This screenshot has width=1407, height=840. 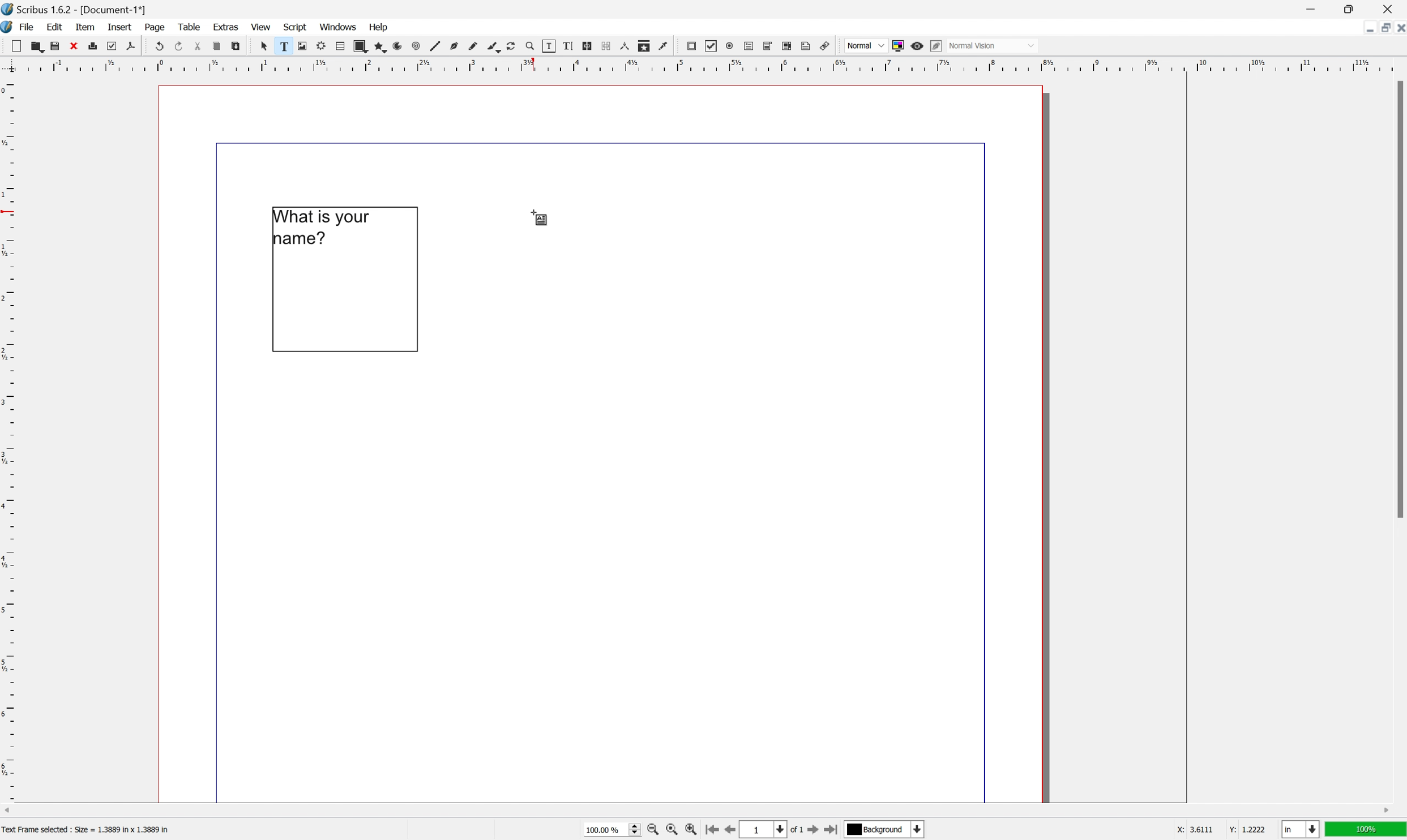 I want to click on table, so click(x=189, y=27).